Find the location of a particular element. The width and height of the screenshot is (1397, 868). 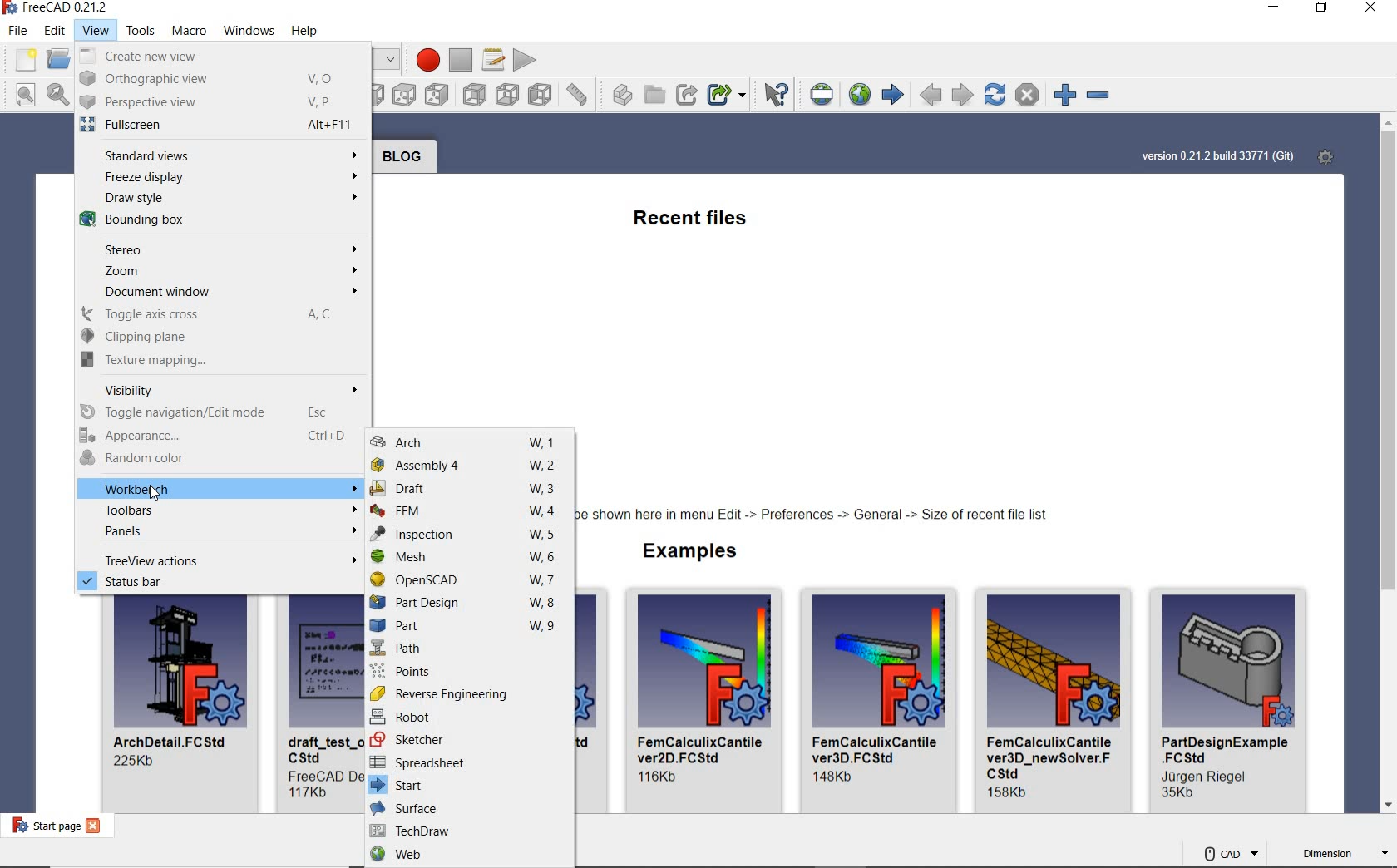

toggle navigation is located at coordinates (220, 412).